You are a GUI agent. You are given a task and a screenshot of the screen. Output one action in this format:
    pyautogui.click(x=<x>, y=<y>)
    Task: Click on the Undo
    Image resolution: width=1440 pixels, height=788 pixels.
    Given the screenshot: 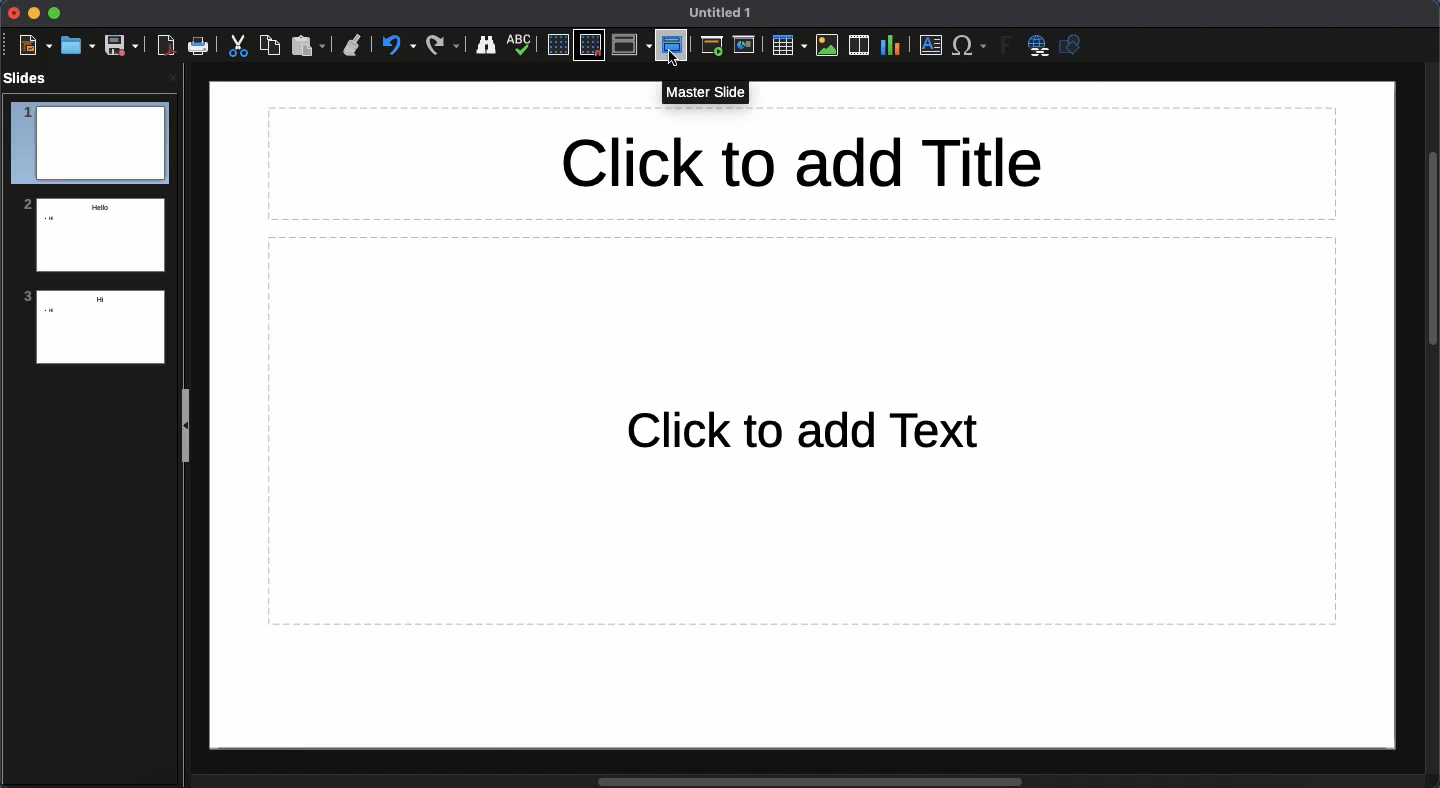 What is the action you would take?
    pyautogui.click(x=399, y=45)
    